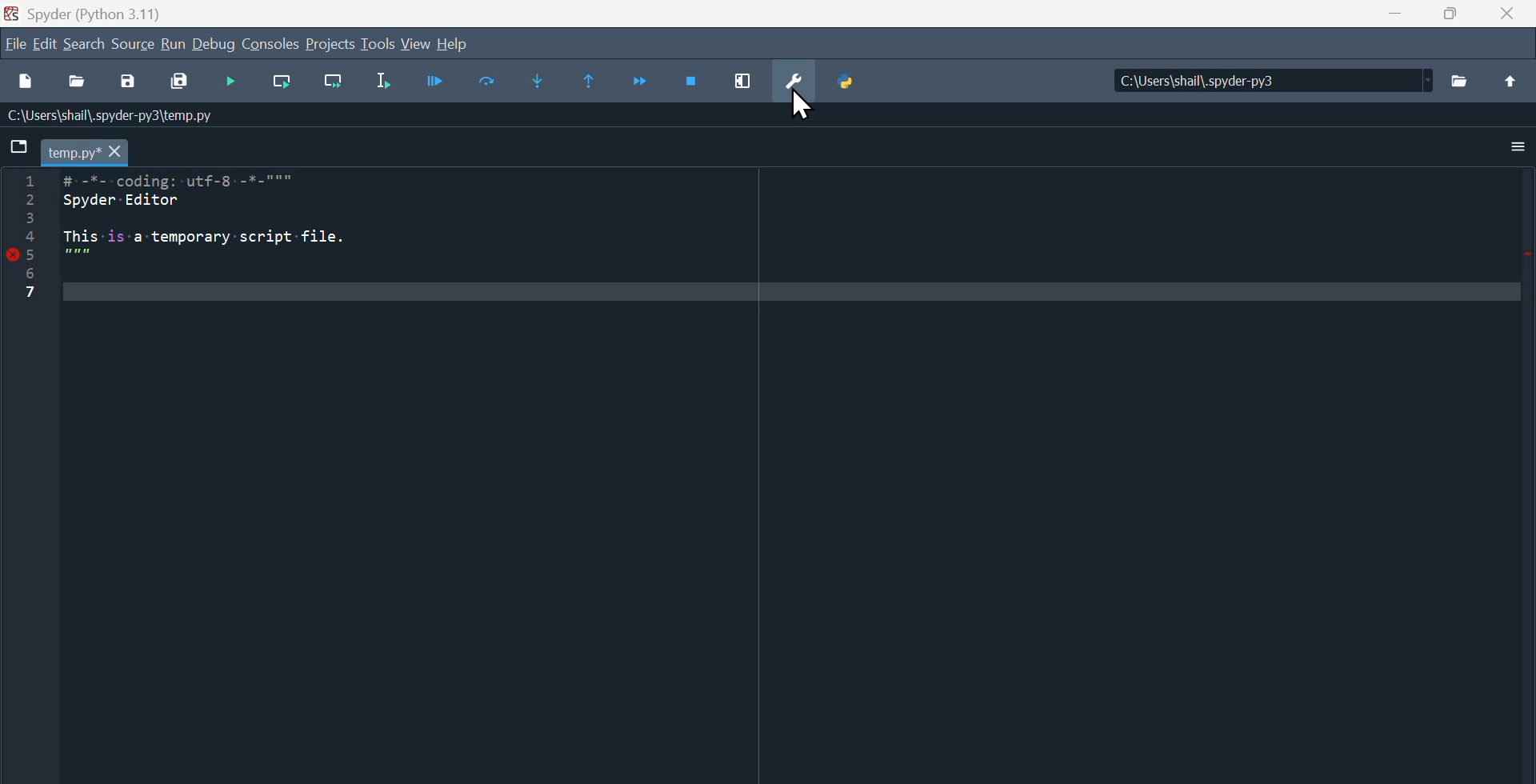 Image resolution: width=1536 pixels, height=784 pixels. Describe the element at coordinates (388, 82) in the screenshot. I see `Run selection` at that location.